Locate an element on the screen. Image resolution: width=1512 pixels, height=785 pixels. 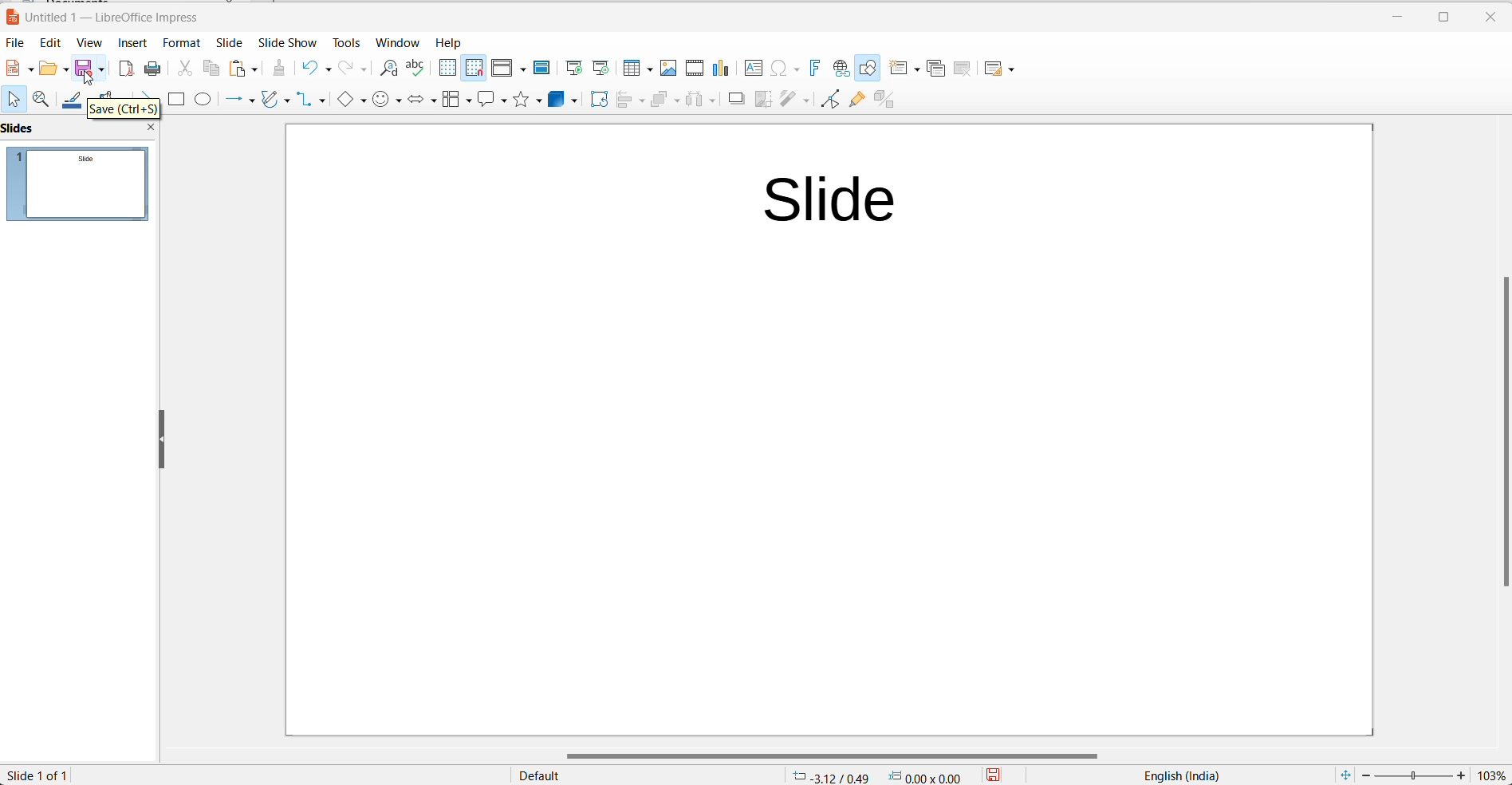
crop image is located at coordinates (762, 100).